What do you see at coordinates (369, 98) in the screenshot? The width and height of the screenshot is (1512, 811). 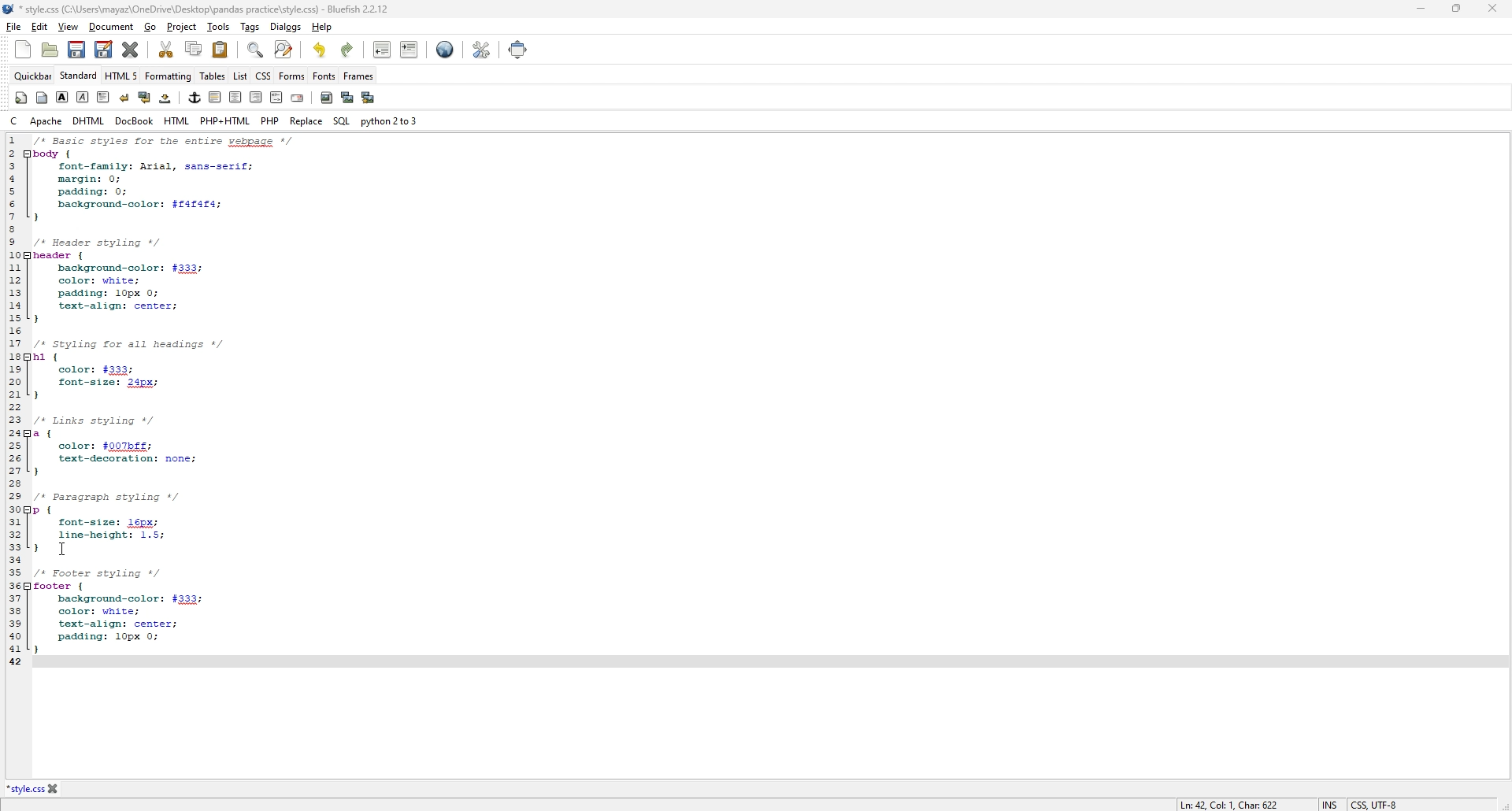 I see `multi thumbnail` at bounding box center [369, 98].